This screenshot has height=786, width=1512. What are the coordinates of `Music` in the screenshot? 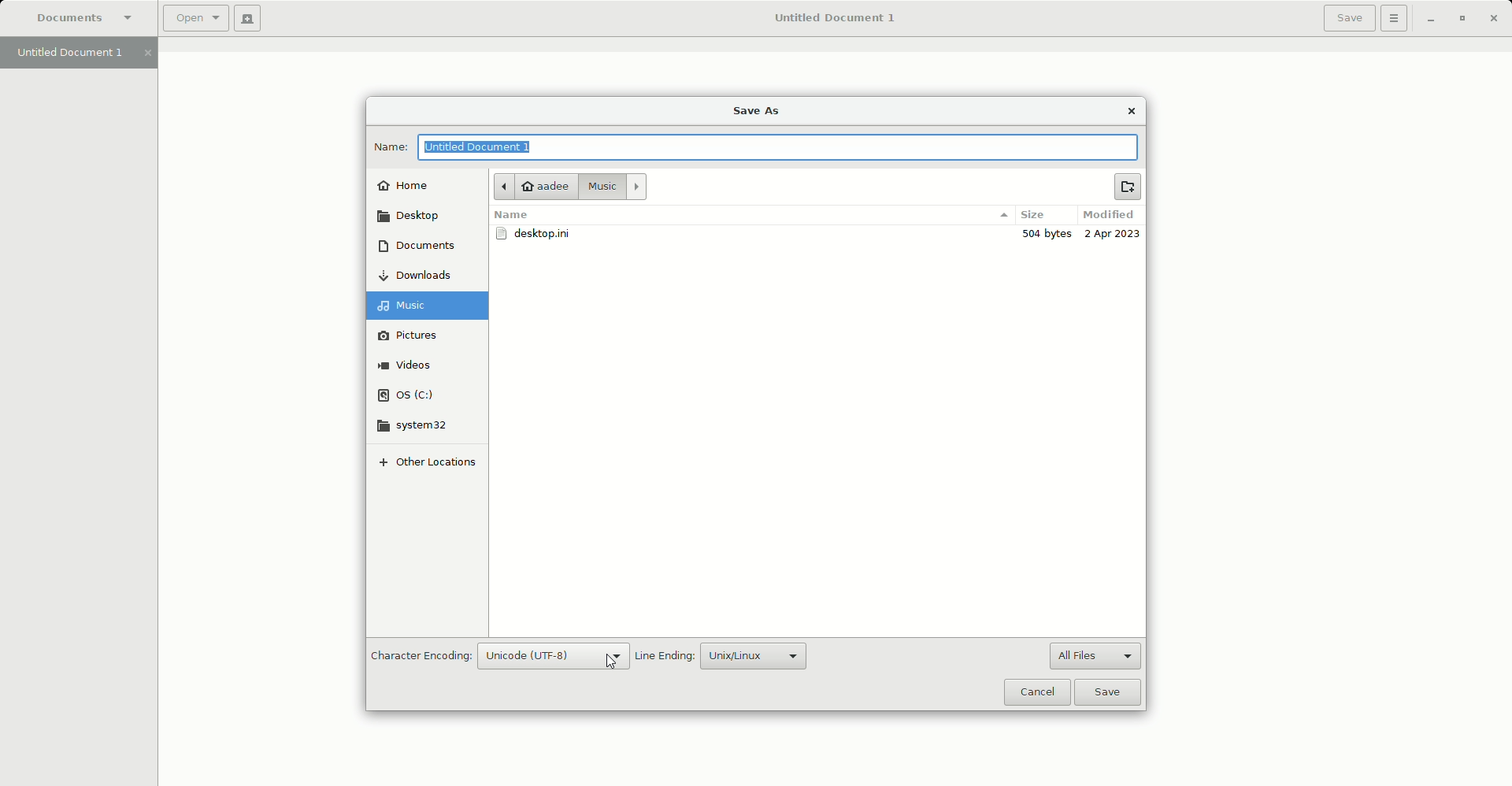 It's located at (615, 186).